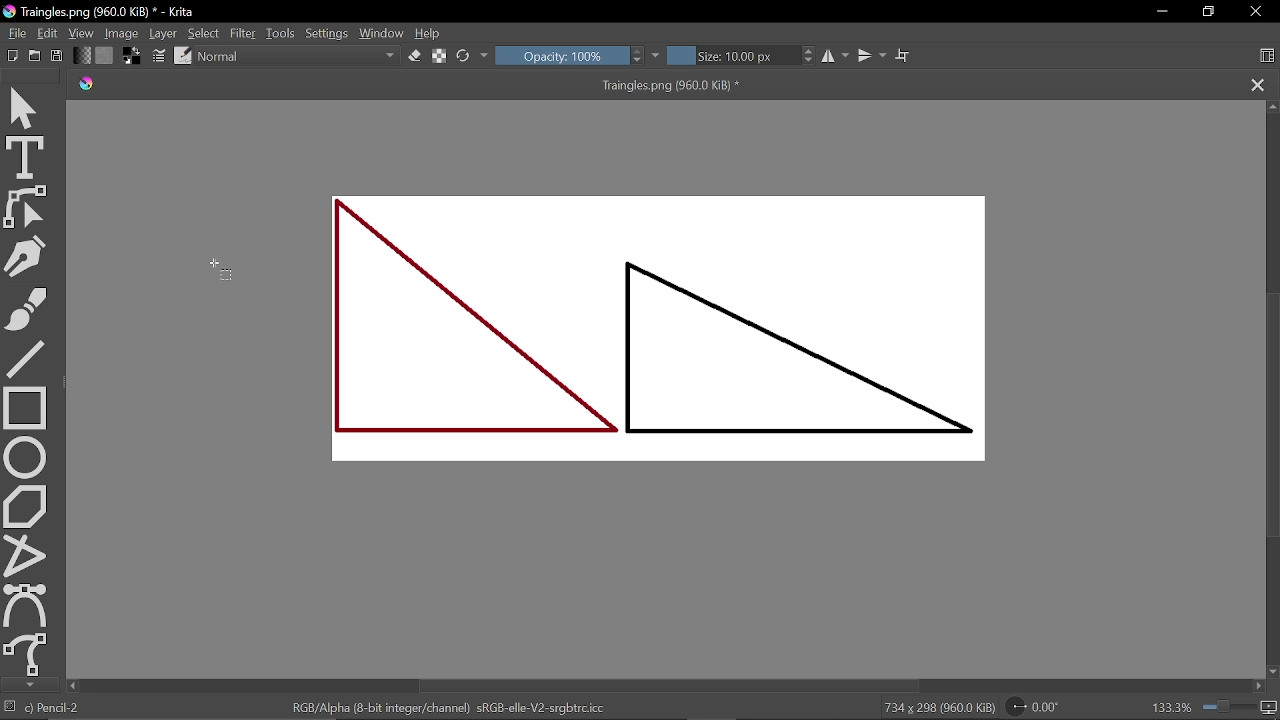 This screenshot has height=720, width=1280. What do you see at coordinates (158, 56) in the screenshot?
I see `Edit brush settings` at bounding box center [158, 56].